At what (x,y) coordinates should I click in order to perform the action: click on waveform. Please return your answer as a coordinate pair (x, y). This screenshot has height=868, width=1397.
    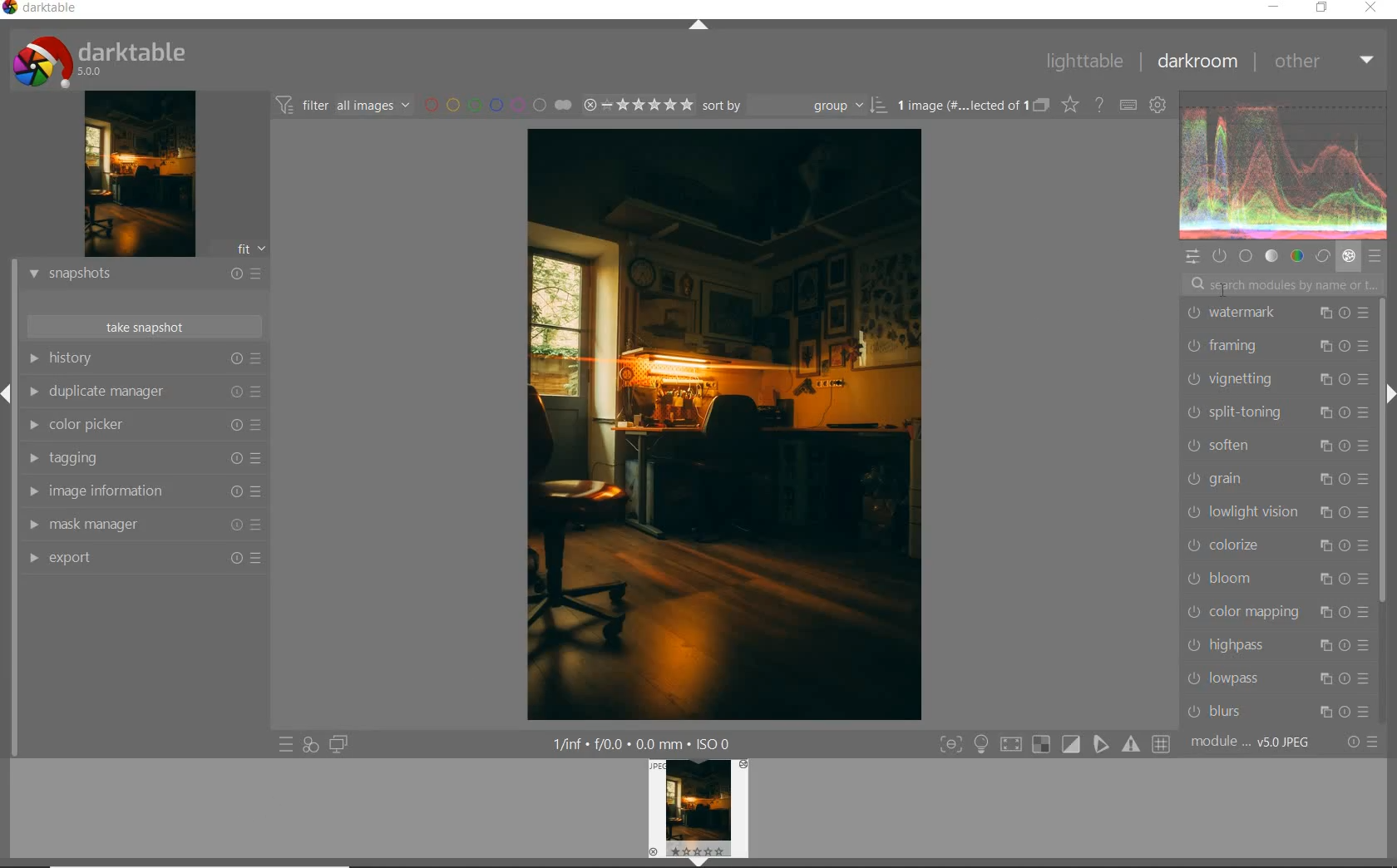
    Looking at the image, I should click on (1286, 165).